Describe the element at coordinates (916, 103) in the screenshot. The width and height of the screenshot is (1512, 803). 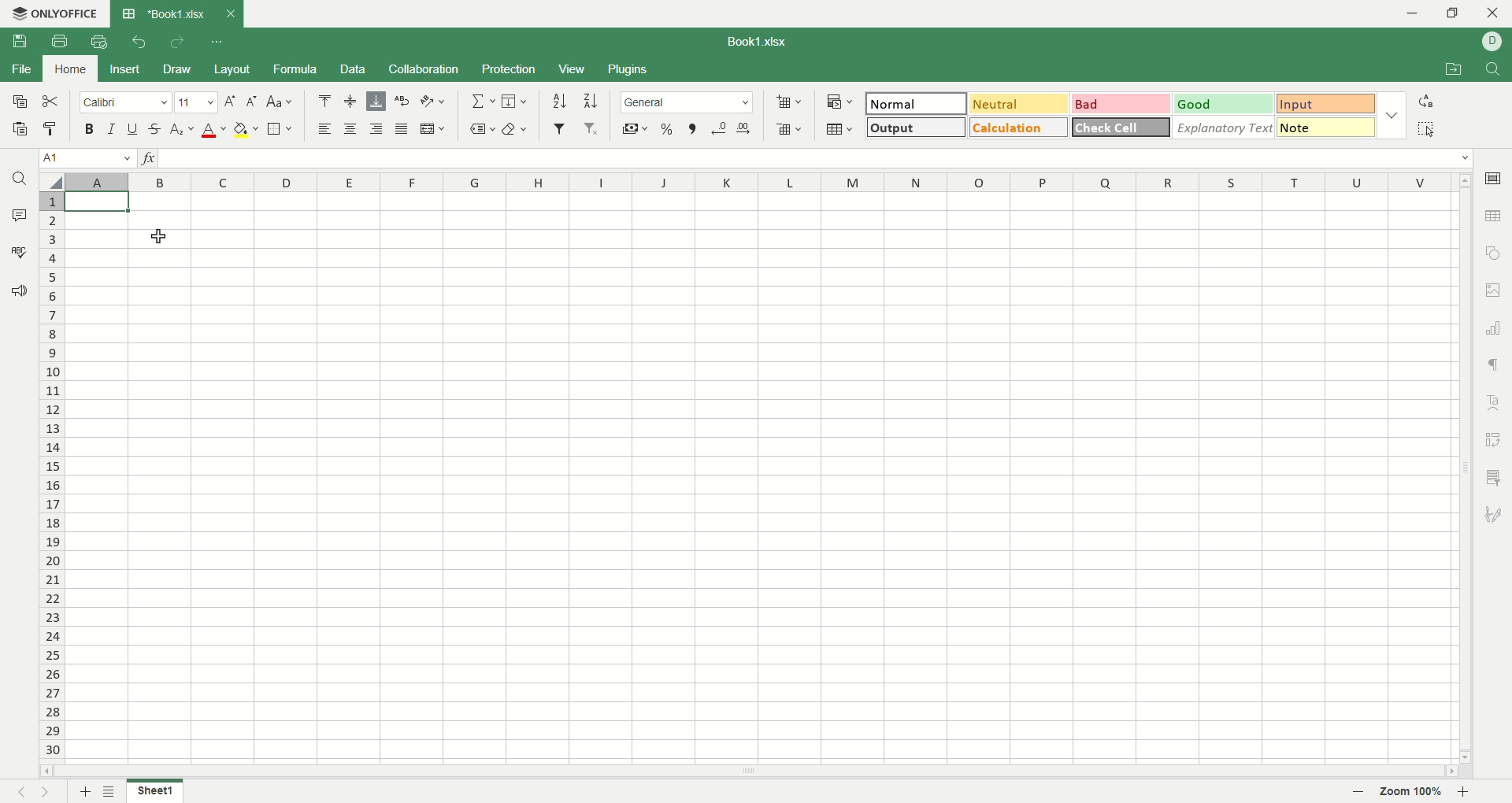
I see `normal` at that location.